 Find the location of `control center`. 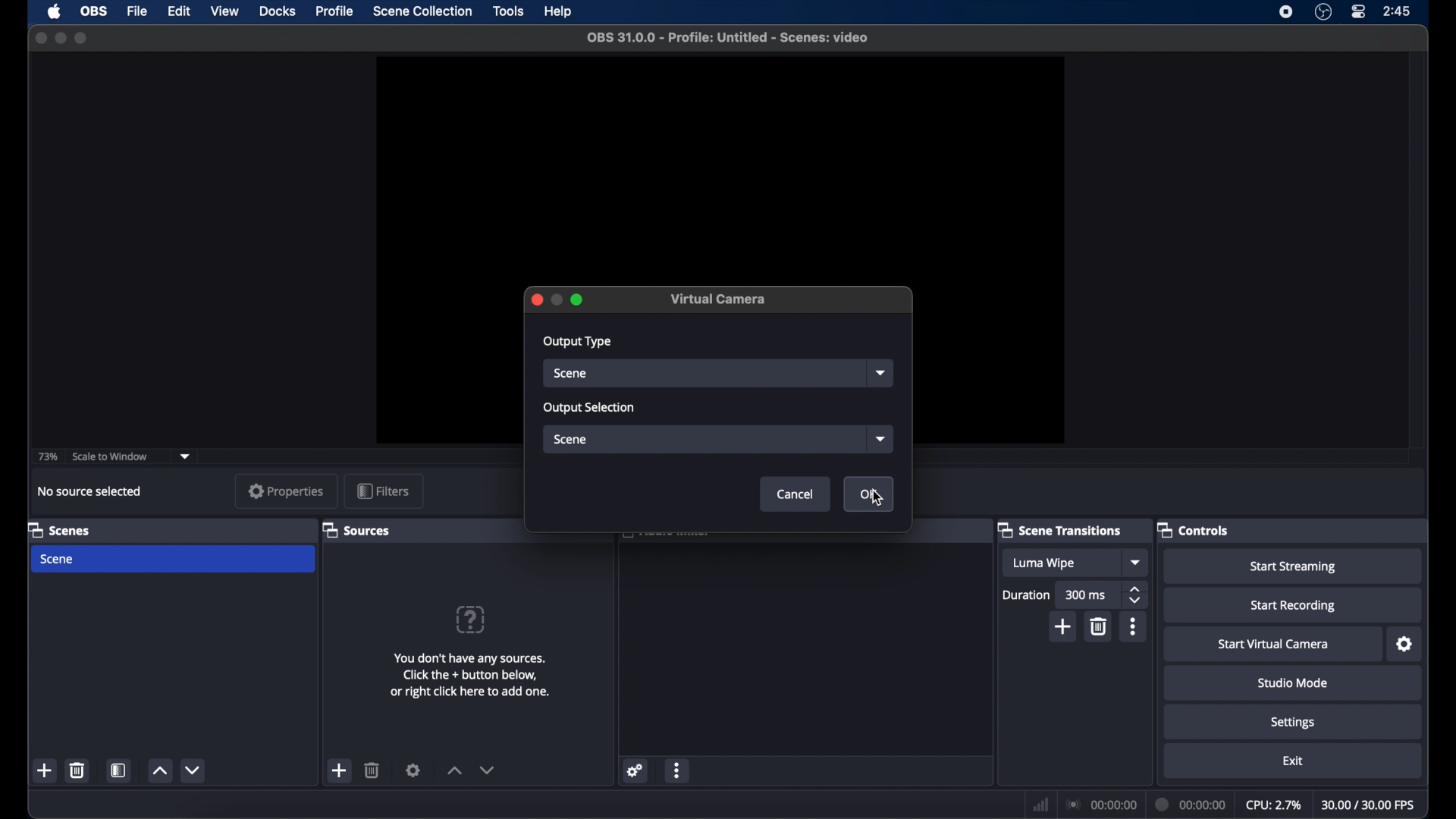

control center is located at coordinates (1360, 12).